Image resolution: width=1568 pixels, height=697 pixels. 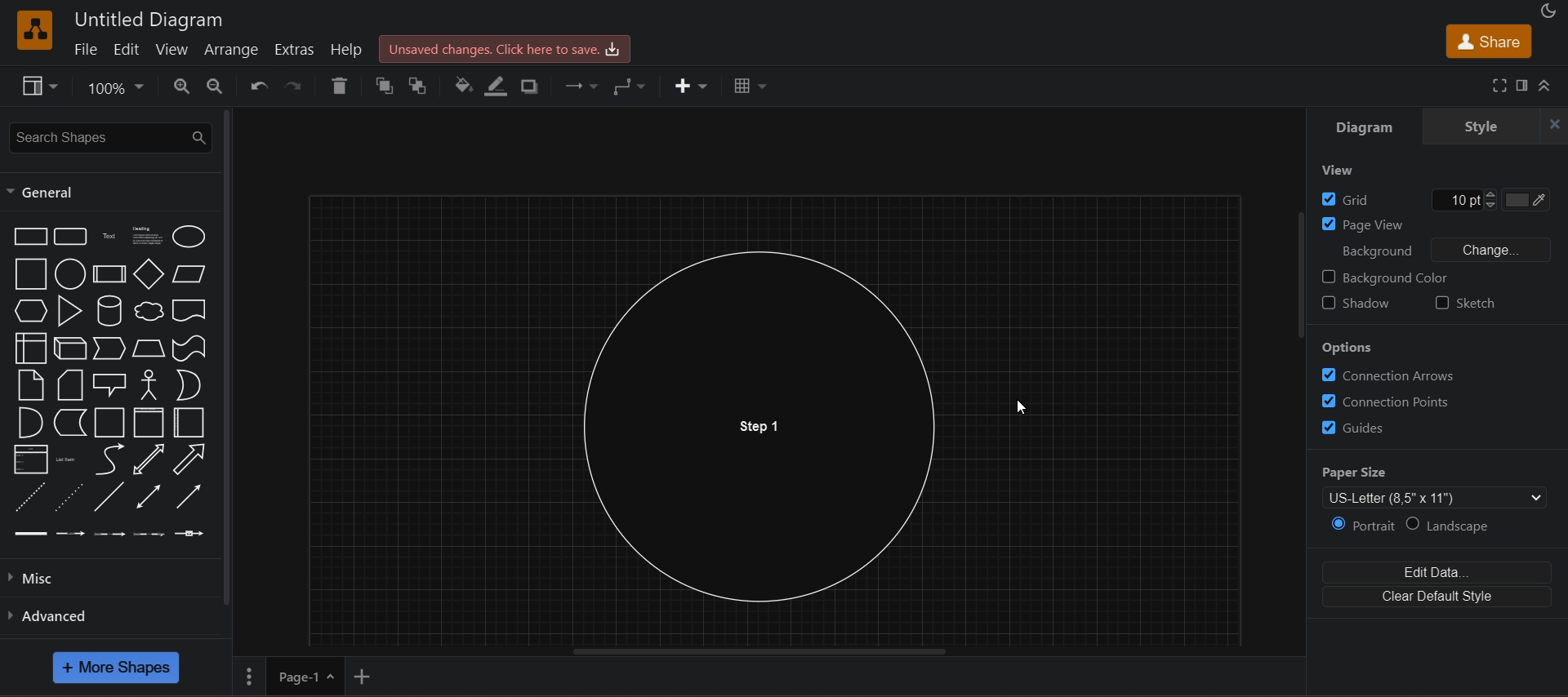 I want to click on edit, so click(x=129, y=51).